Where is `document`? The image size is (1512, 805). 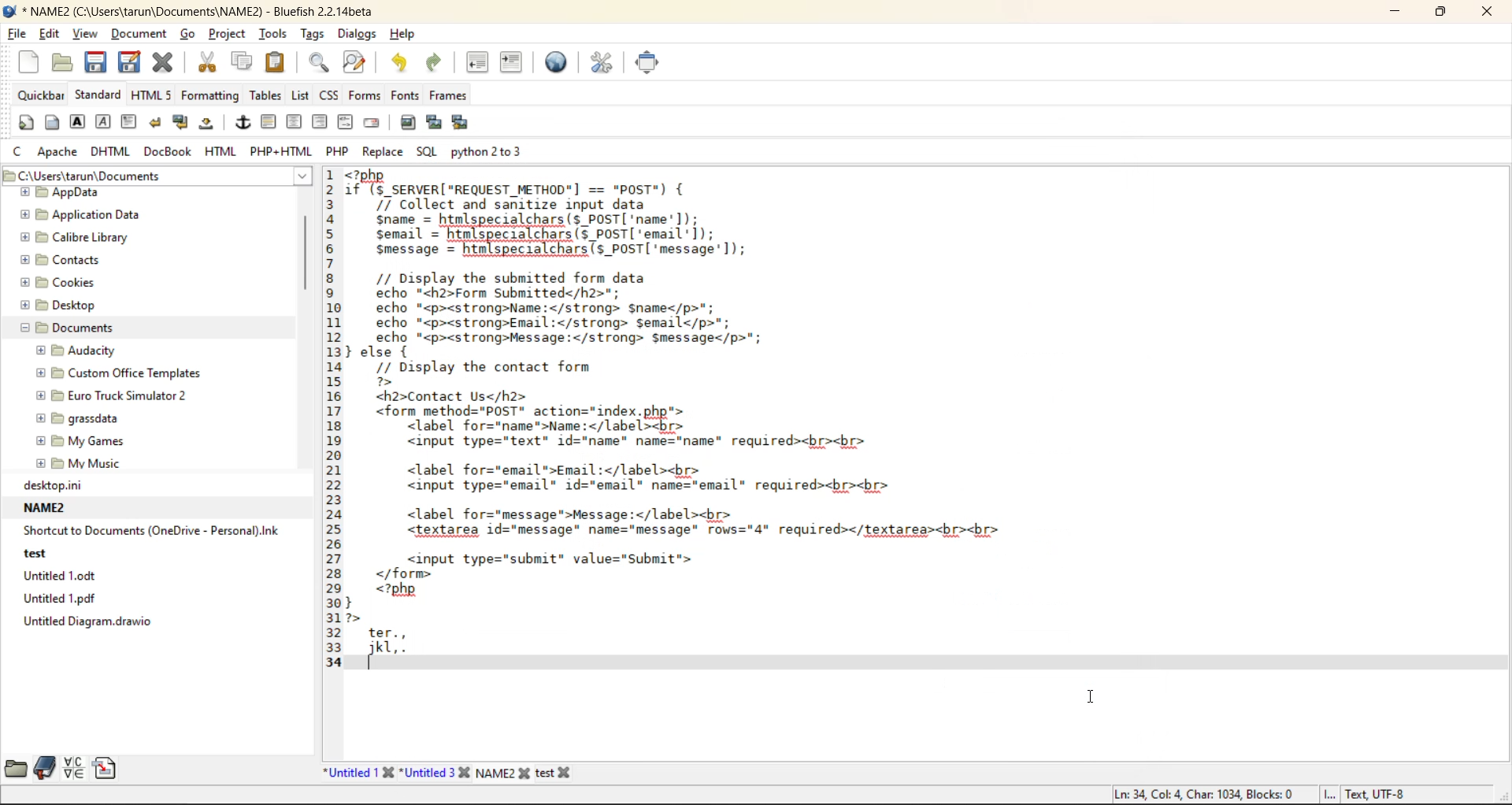
document is located at coordinates (140, 35).